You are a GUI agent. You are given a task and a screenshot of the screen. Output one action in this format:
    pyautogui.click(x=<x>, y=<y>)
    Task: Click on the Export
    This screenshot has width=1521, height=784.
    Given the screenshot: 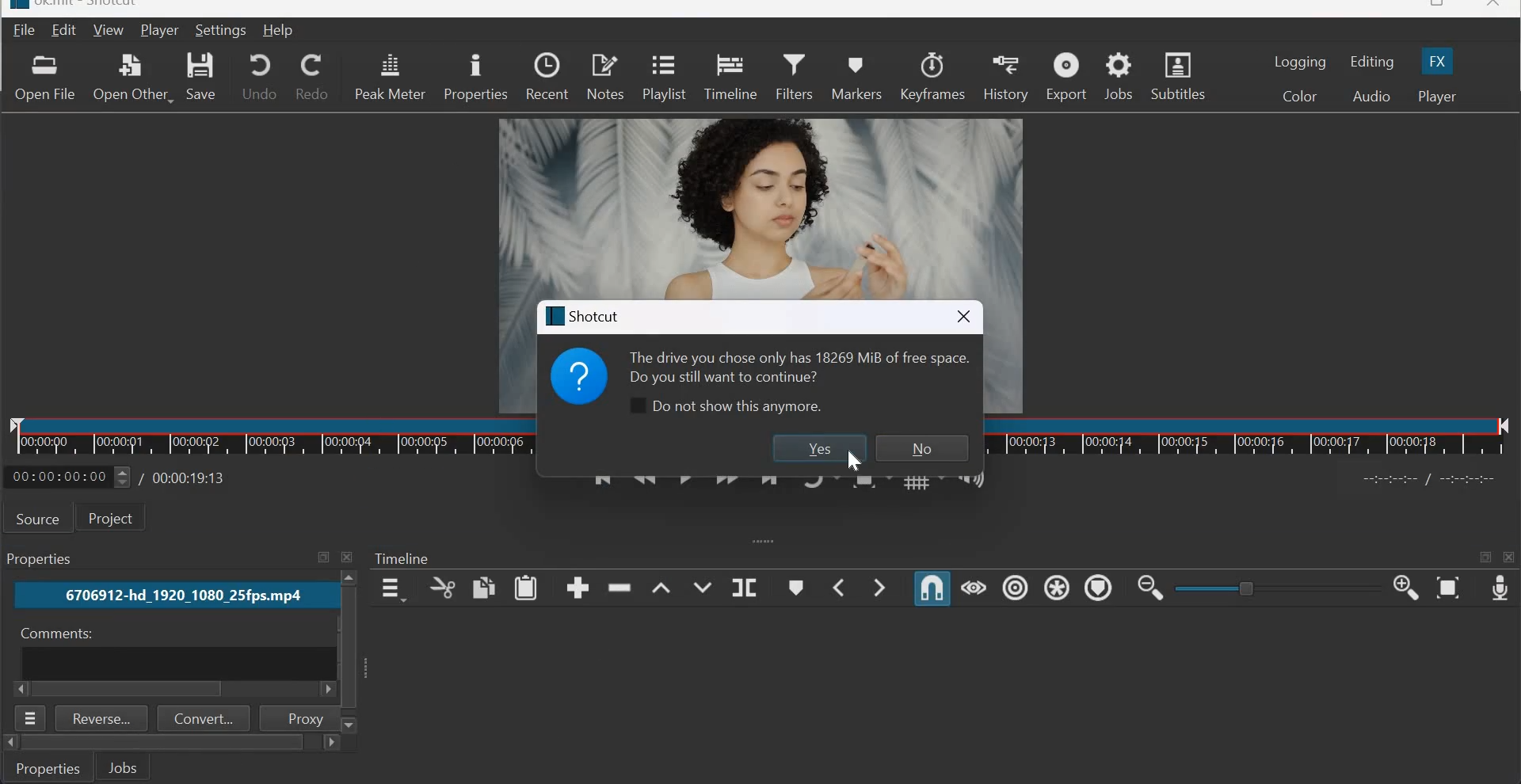 What is the action you would take?
    pyautogui.click(x=1066, y=75)
    